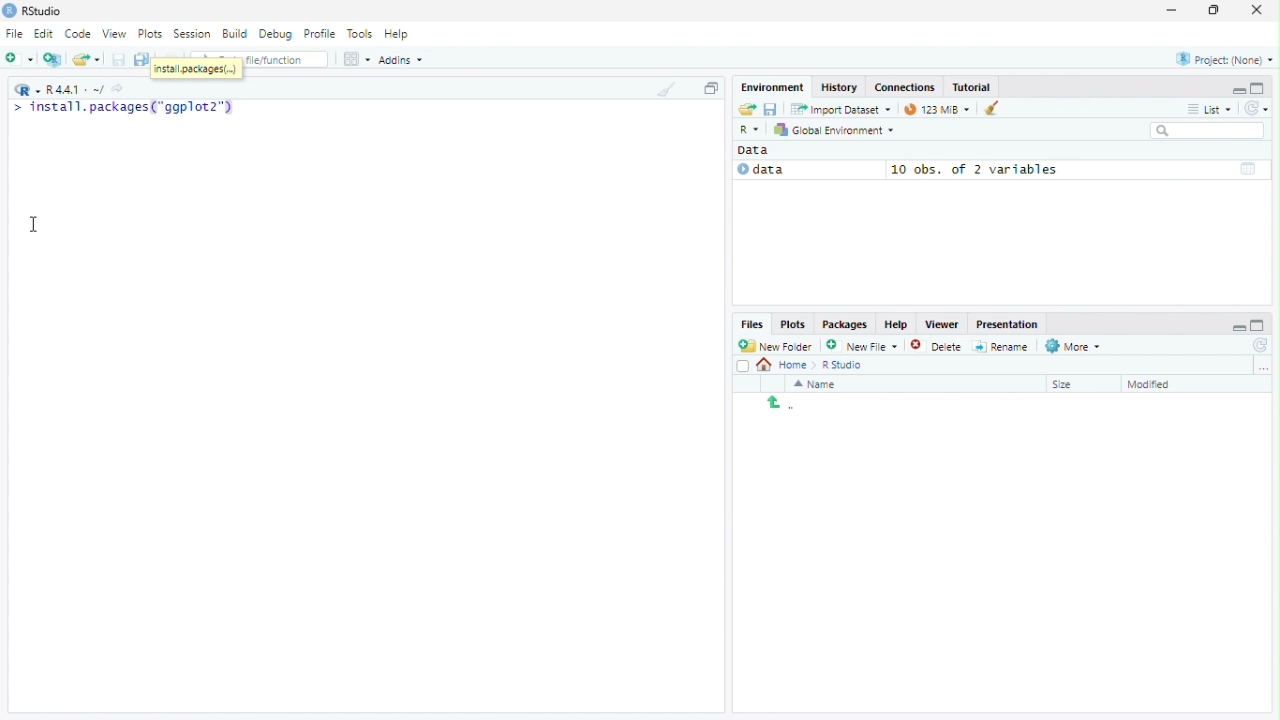  Describe the element at coordinates (1164, 384) in the screenshot. I see `Sort by last modified` at that location.